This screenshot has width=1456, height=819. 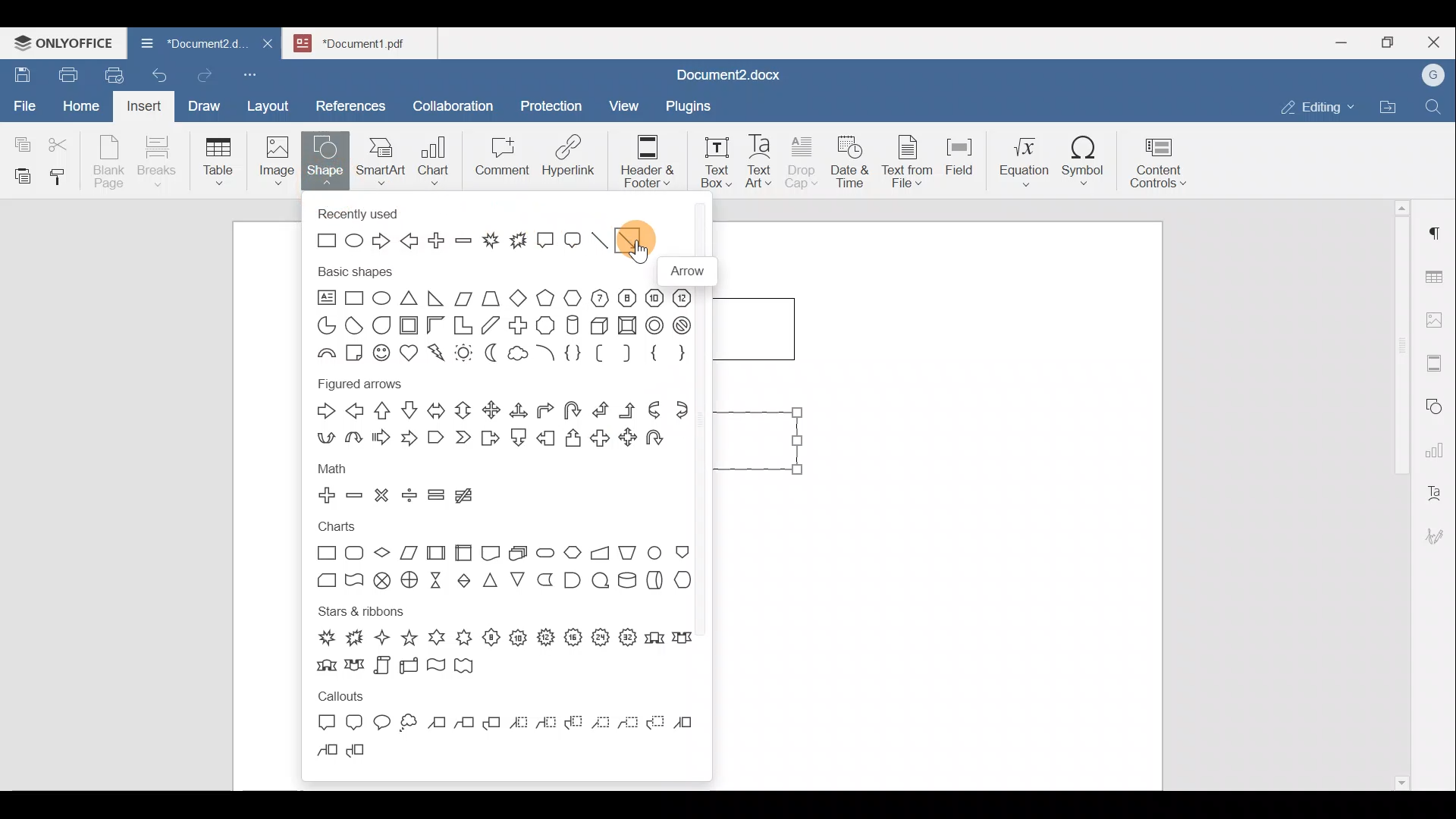 What do you see at coordinates (504, 726) in the screenshot?
I see `Callouts` at bounding box center [504, 726].